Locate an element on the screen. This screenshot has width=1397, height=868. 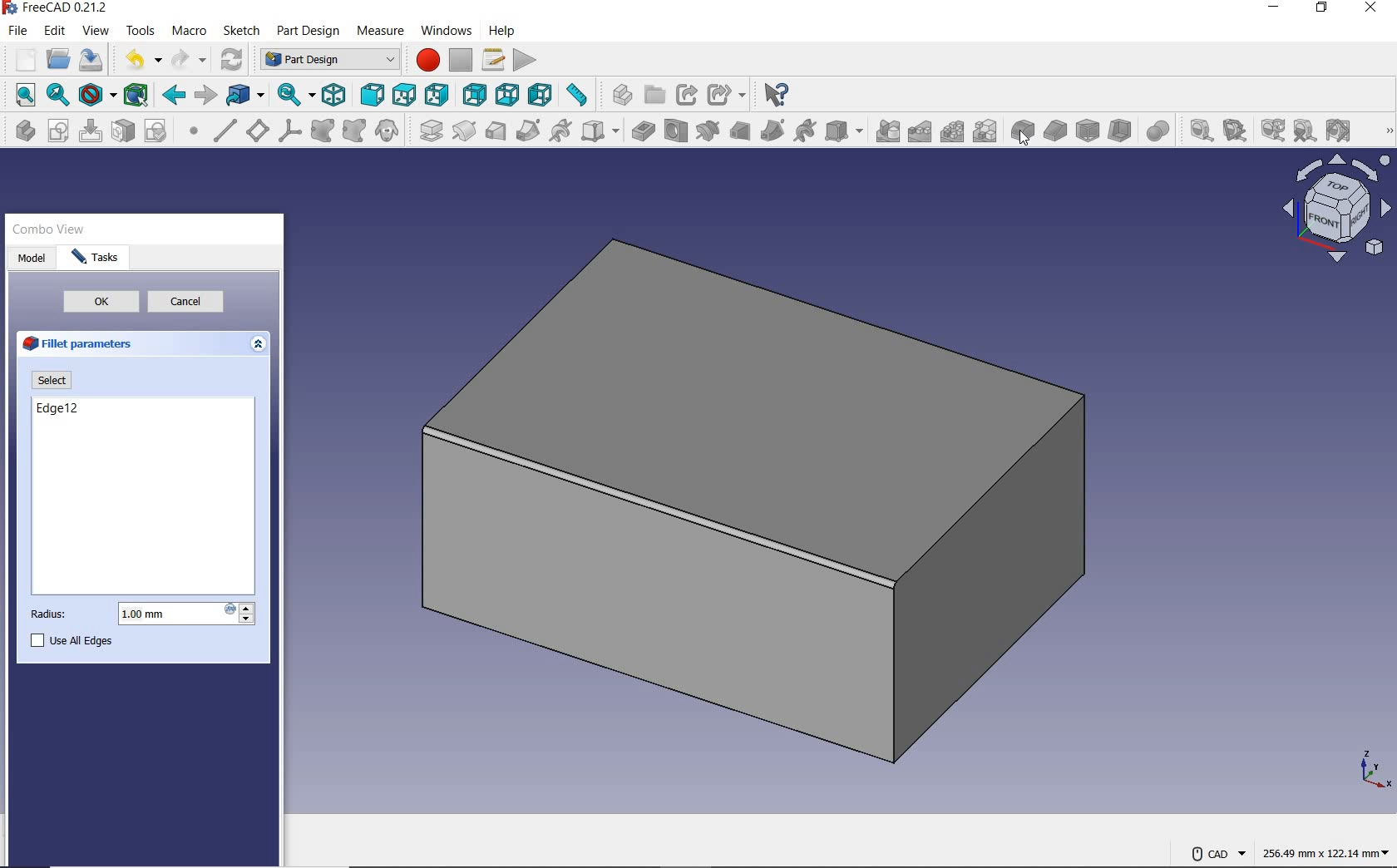
thickness is located at coordinates (1120, 131).